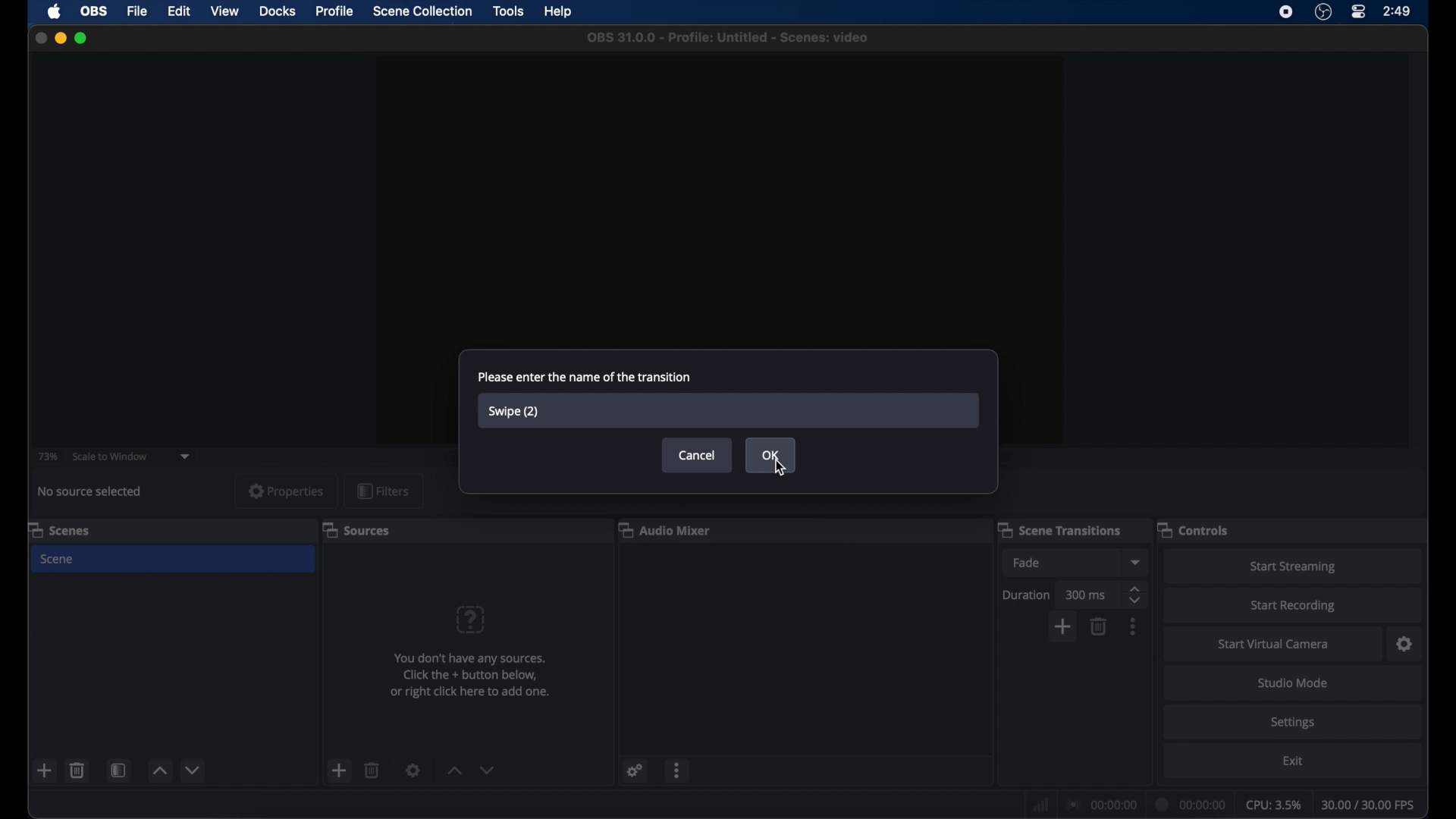 Image resolution: width=1456 pixels, height=819 pixels. Describe the element at coordinates (678, 770) in the screenshot. I see `more options` at that location.